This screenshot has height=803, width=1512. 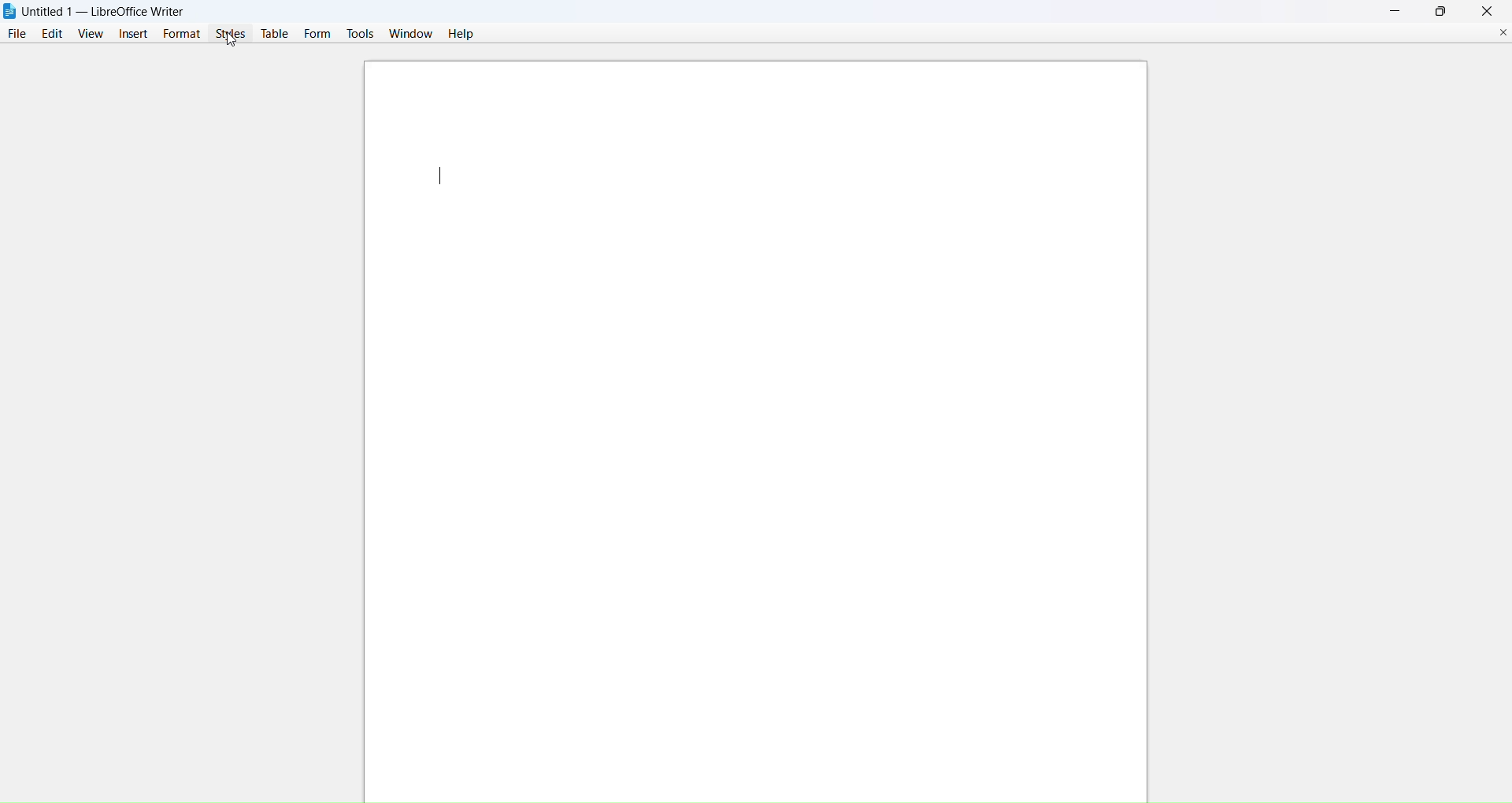 What do you see at coordinates (412, 34) in the screenshot?
I see `window` at bounding box center [412, 34].